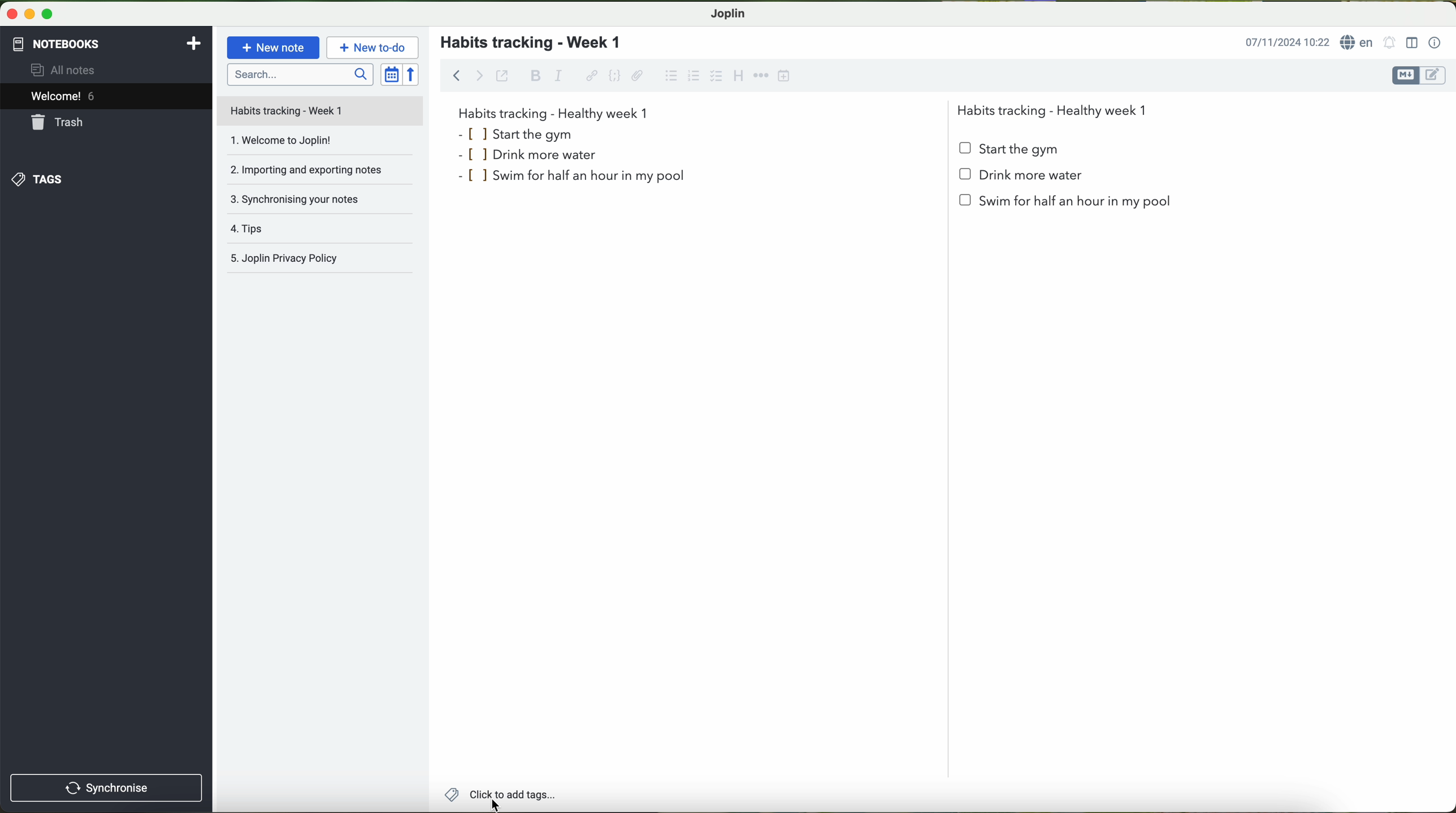  What do you see at coordinates (107, 788) in the screenshot?
I see `synchronise button` at bounding box center [107, 788].